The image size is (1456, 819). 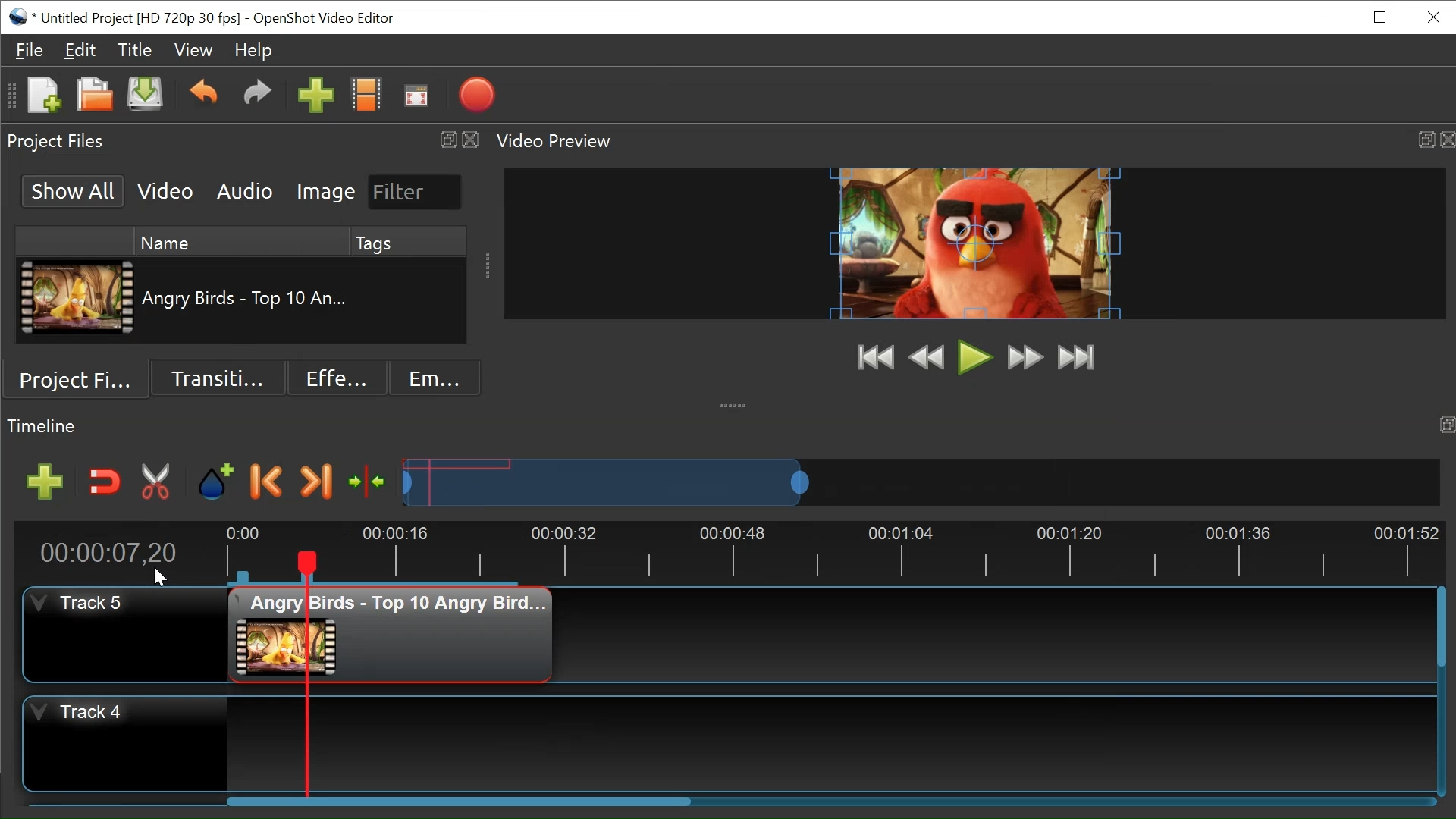 I want to click on Track Panel, so click(x=820, y=745).